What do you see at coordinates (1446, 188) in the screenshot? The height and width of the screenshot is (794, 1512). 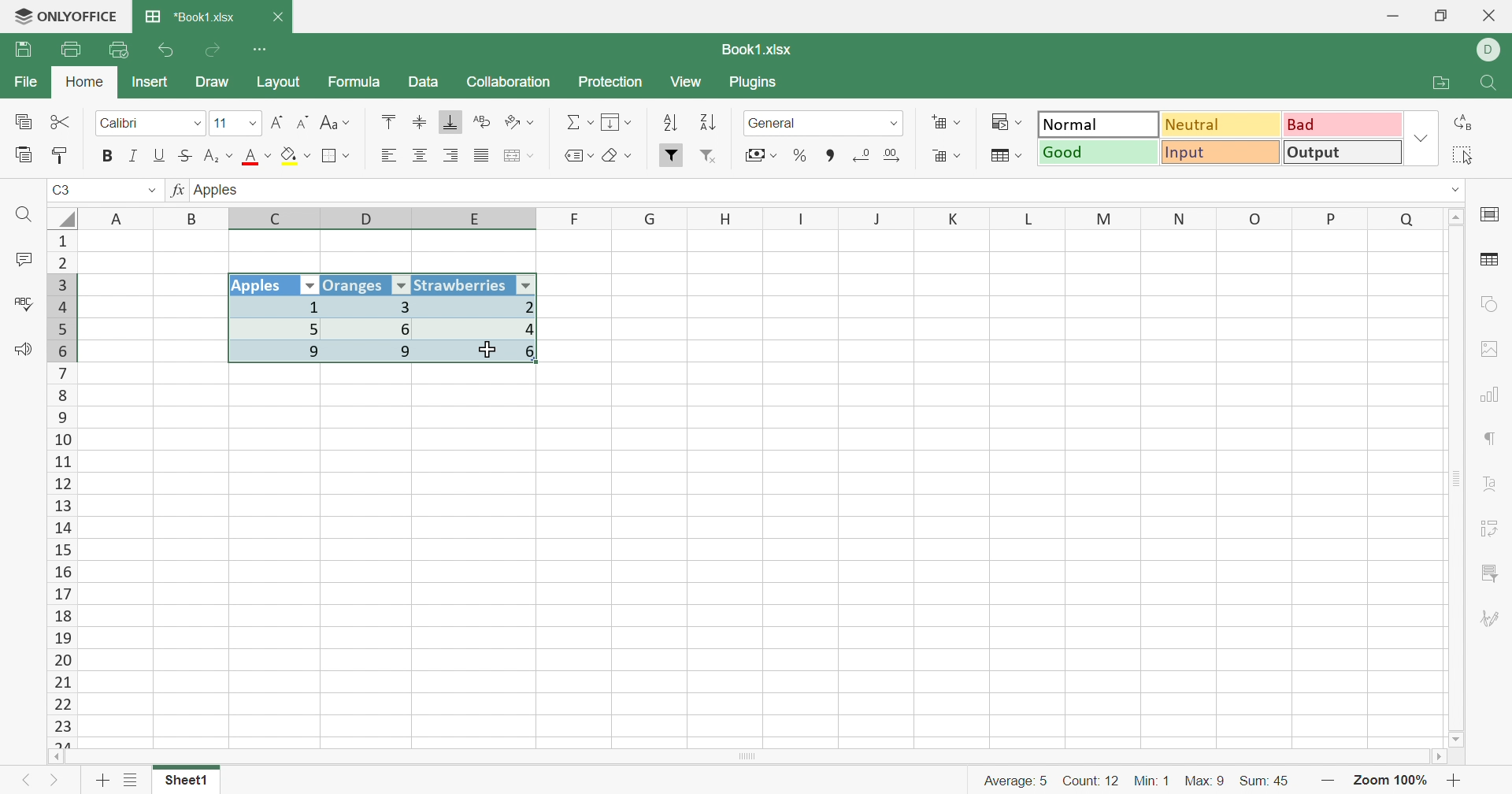 I see `drop down ` at bounding box center [1446, 188].